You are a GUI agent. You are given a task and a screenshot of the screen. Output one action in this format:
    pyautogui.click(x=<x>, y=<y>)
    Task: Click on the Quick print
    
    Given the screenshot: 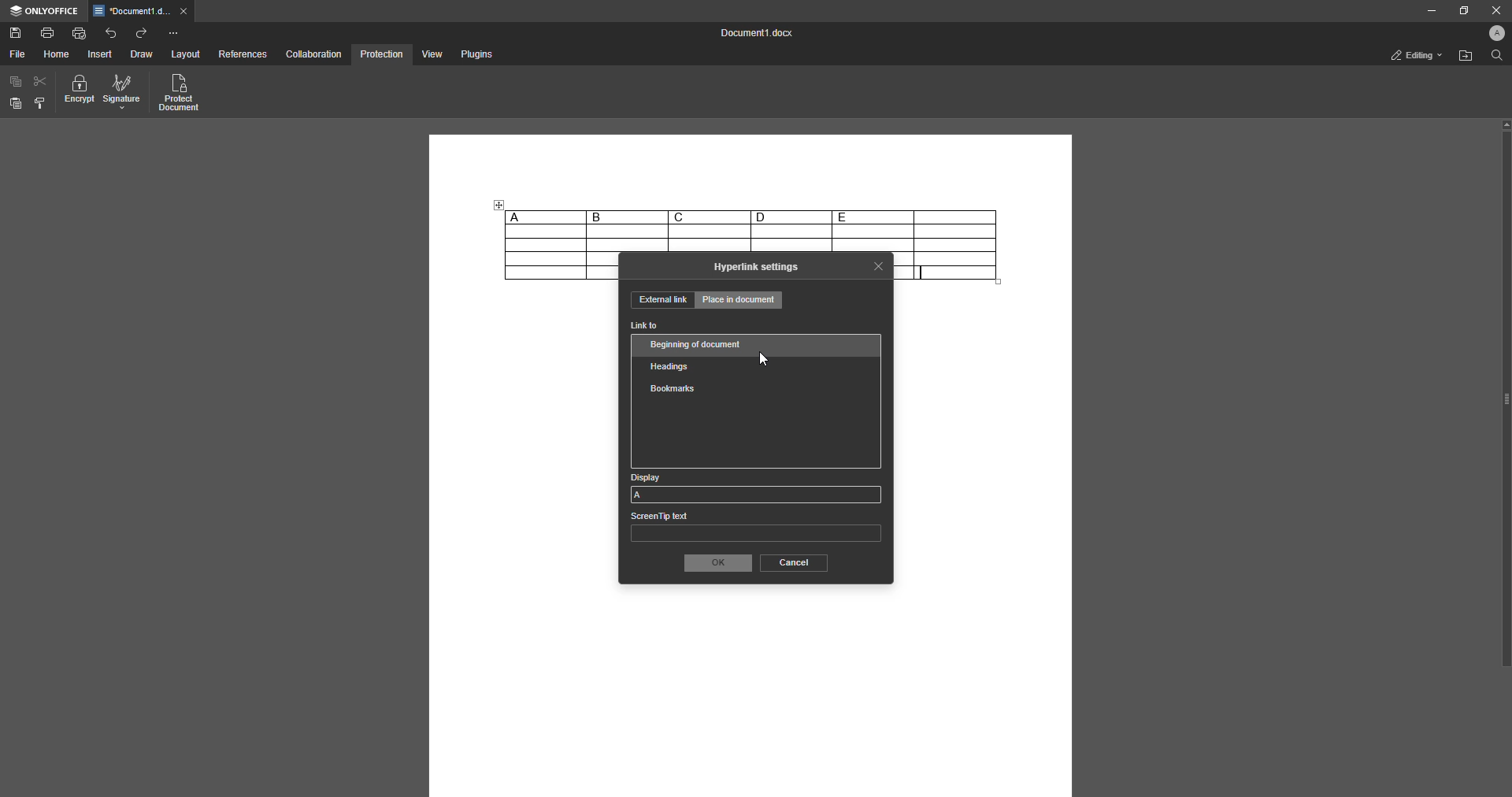 What is the action you would take?
    pyautogui.click(x=80, y=32)
    